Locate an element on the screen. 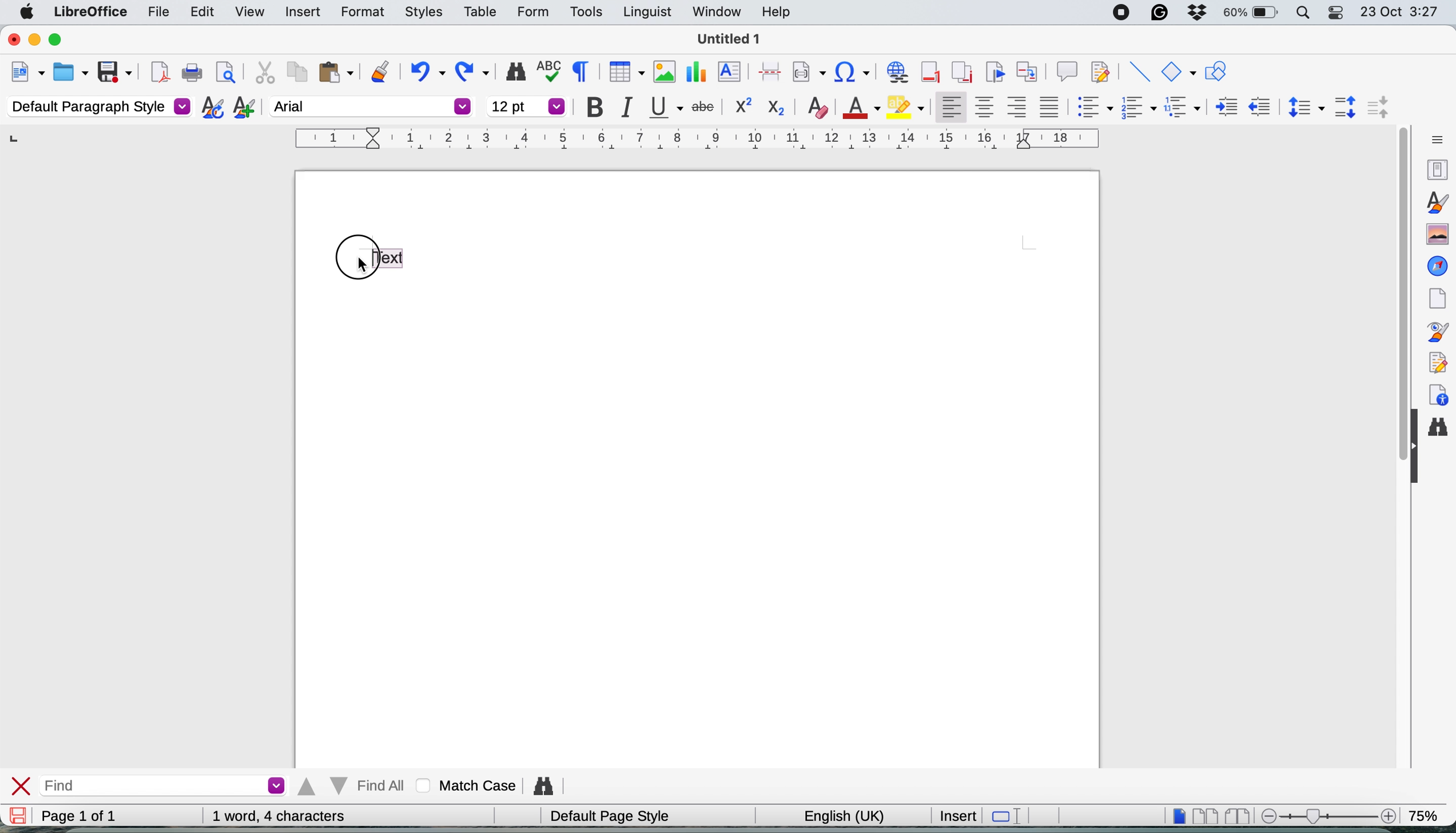 Image resolution: width=1456 pixels, height=833 pixels. save is located at coordinates (114, 71).